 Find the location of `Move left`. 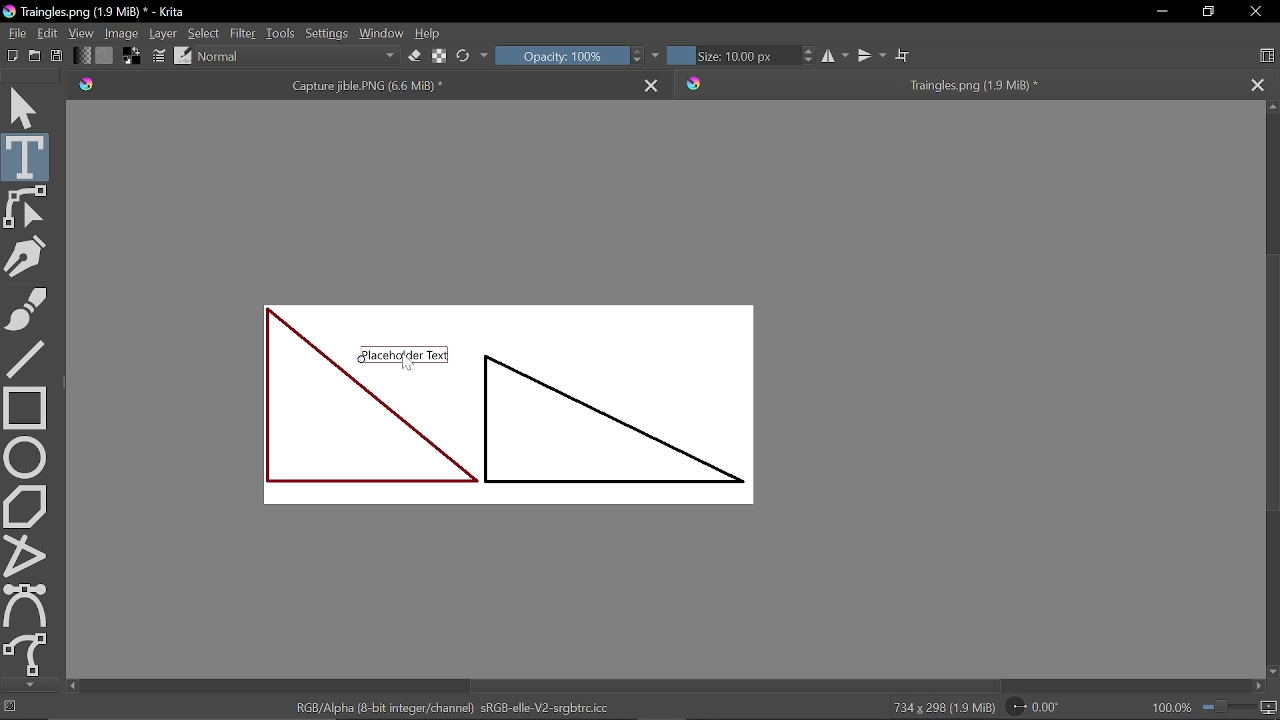

Move left is located at coordinates (72, 687).